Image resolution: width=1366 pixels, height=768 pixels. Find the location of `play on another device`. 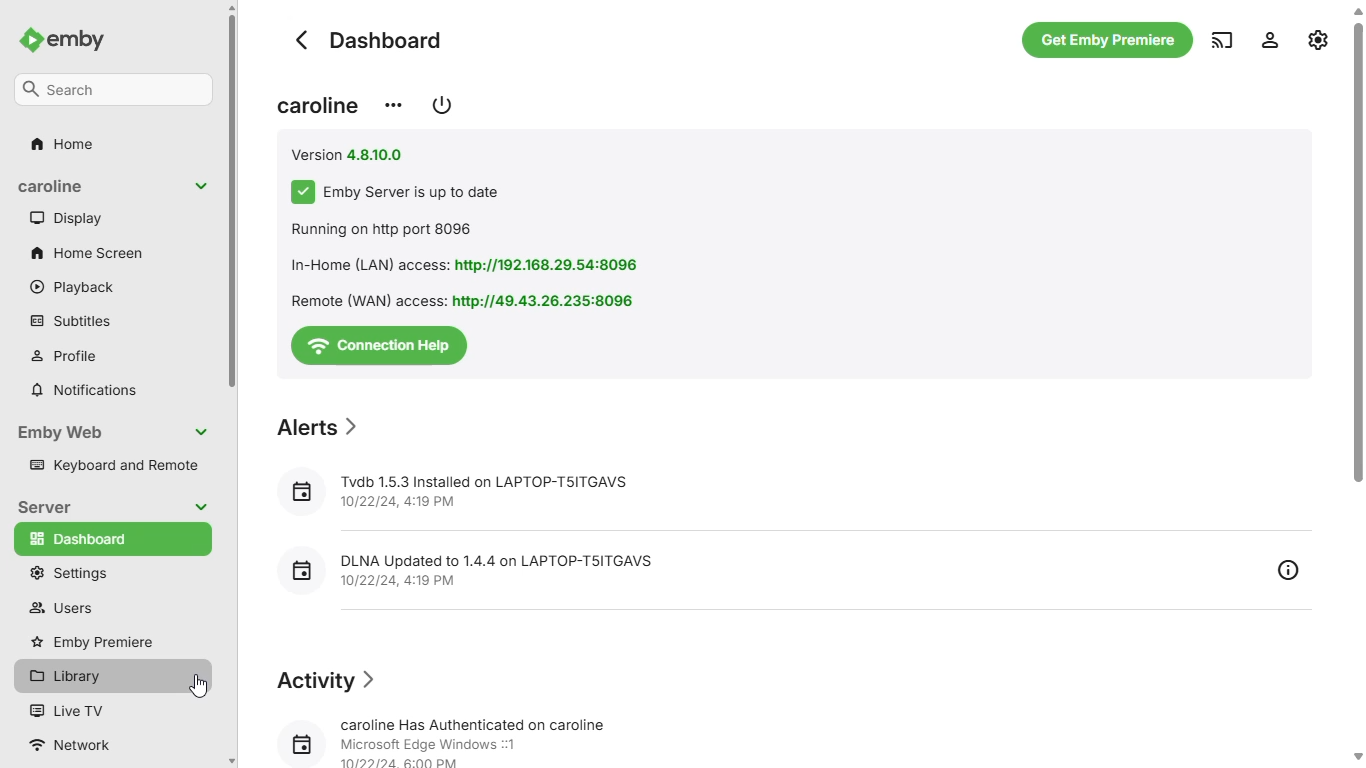

play on another device is located at coordinates (1223, 41).